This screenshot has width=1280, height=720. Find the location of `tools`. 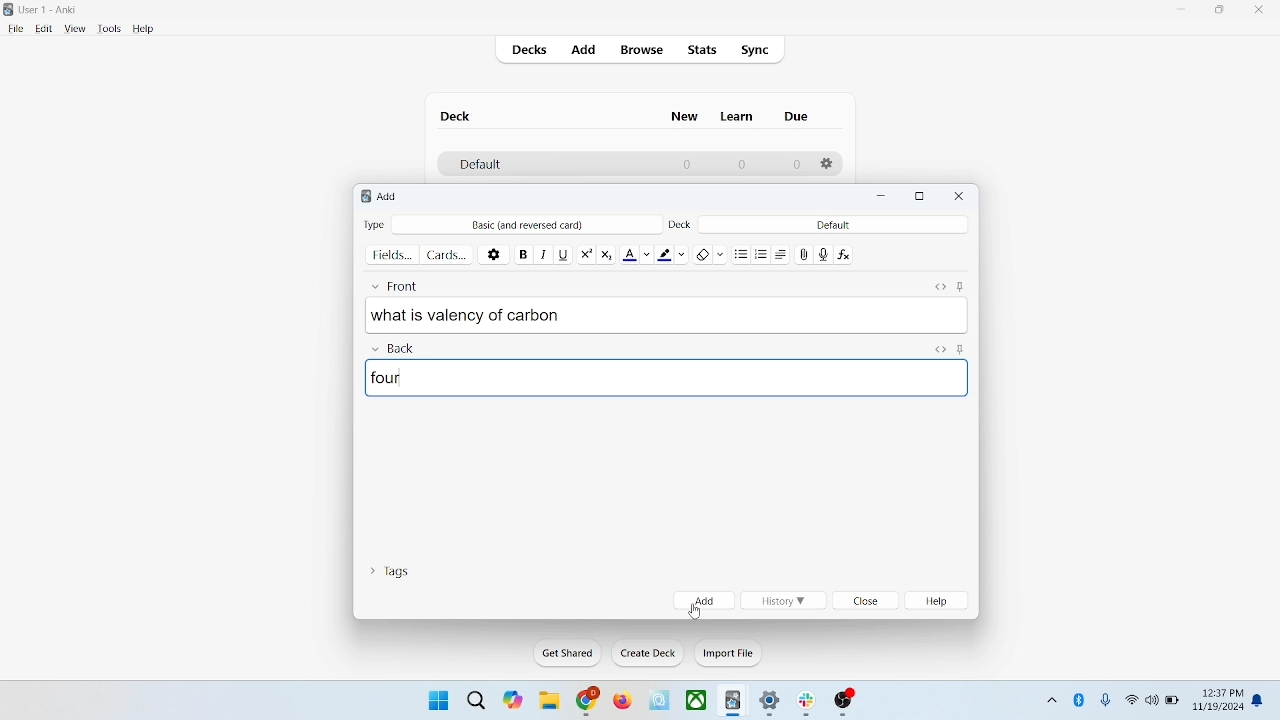

tools is located at coordinates (108, 29).